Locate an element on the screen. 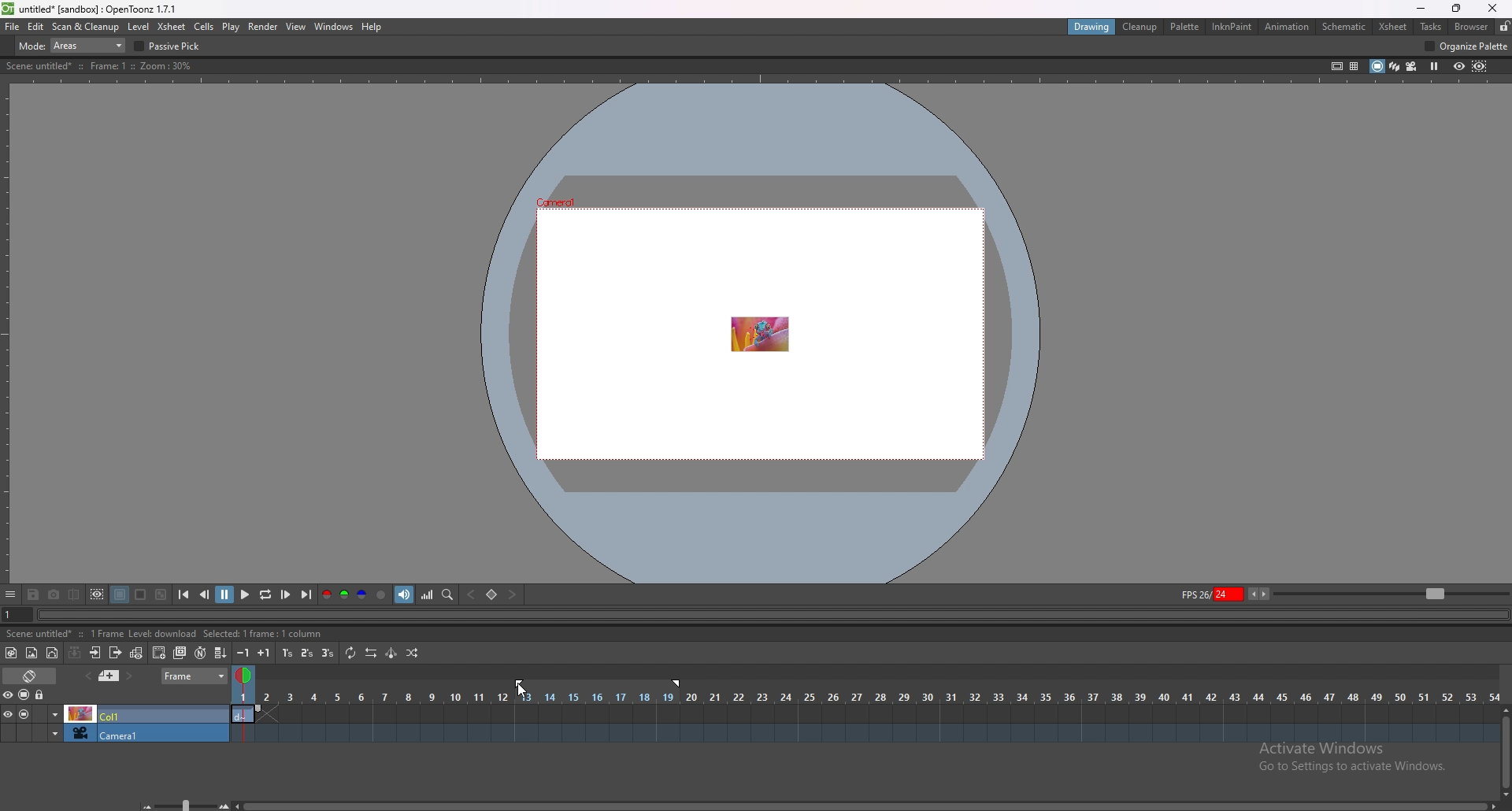 This screenshot has height=811, width=1512. description is located at coordinates (101, 66).